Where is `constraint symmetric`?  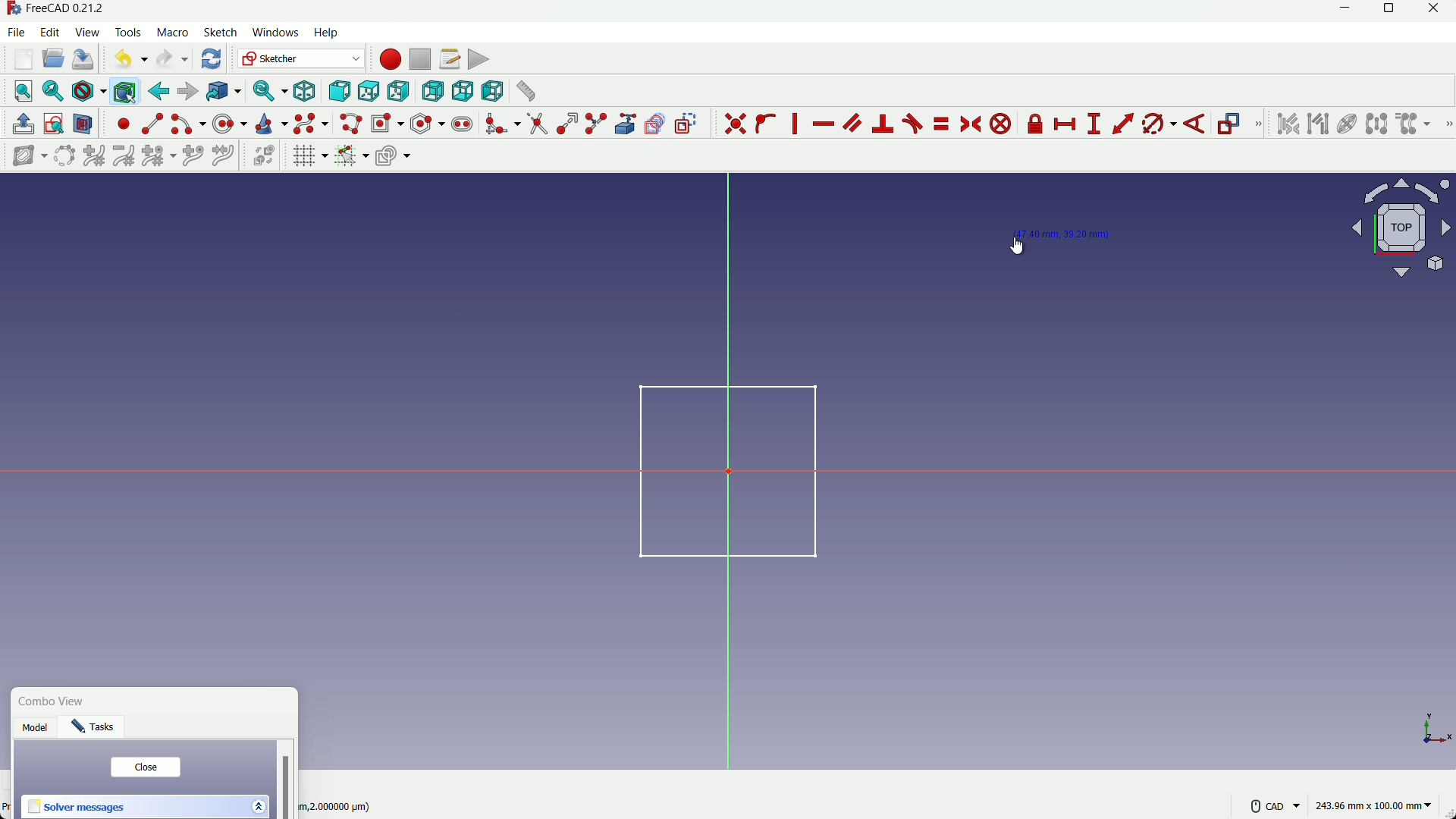
constraint symmetric is located at coordinates (972, 124).